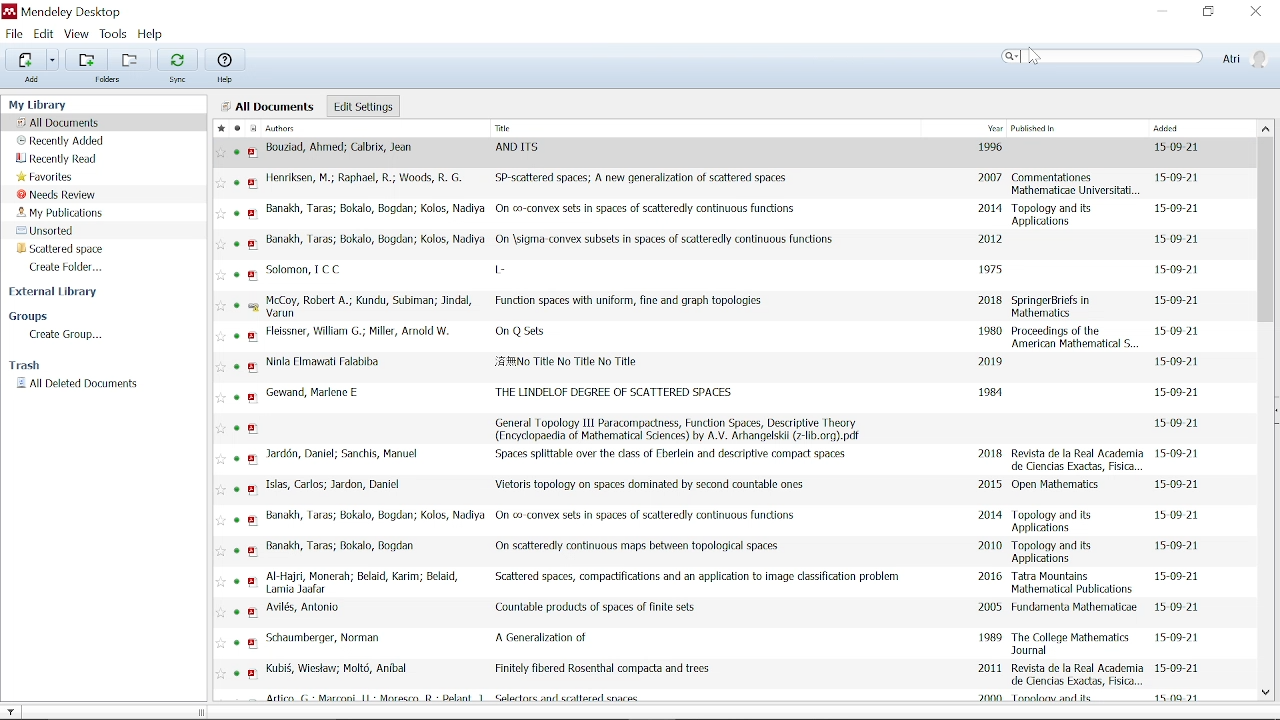 This screenshot has width=1280, height=720. What do you see at coordinates (728, 213) in the screenshot?
I see `‘Banakh, Taras; Bokalo, Bogdan; Kolos, Nadiya On co-convex sets in spaces of scatteredly continuous functions. 2014 Topology and its applications 15-09-21` at bounding box center [728, 213].